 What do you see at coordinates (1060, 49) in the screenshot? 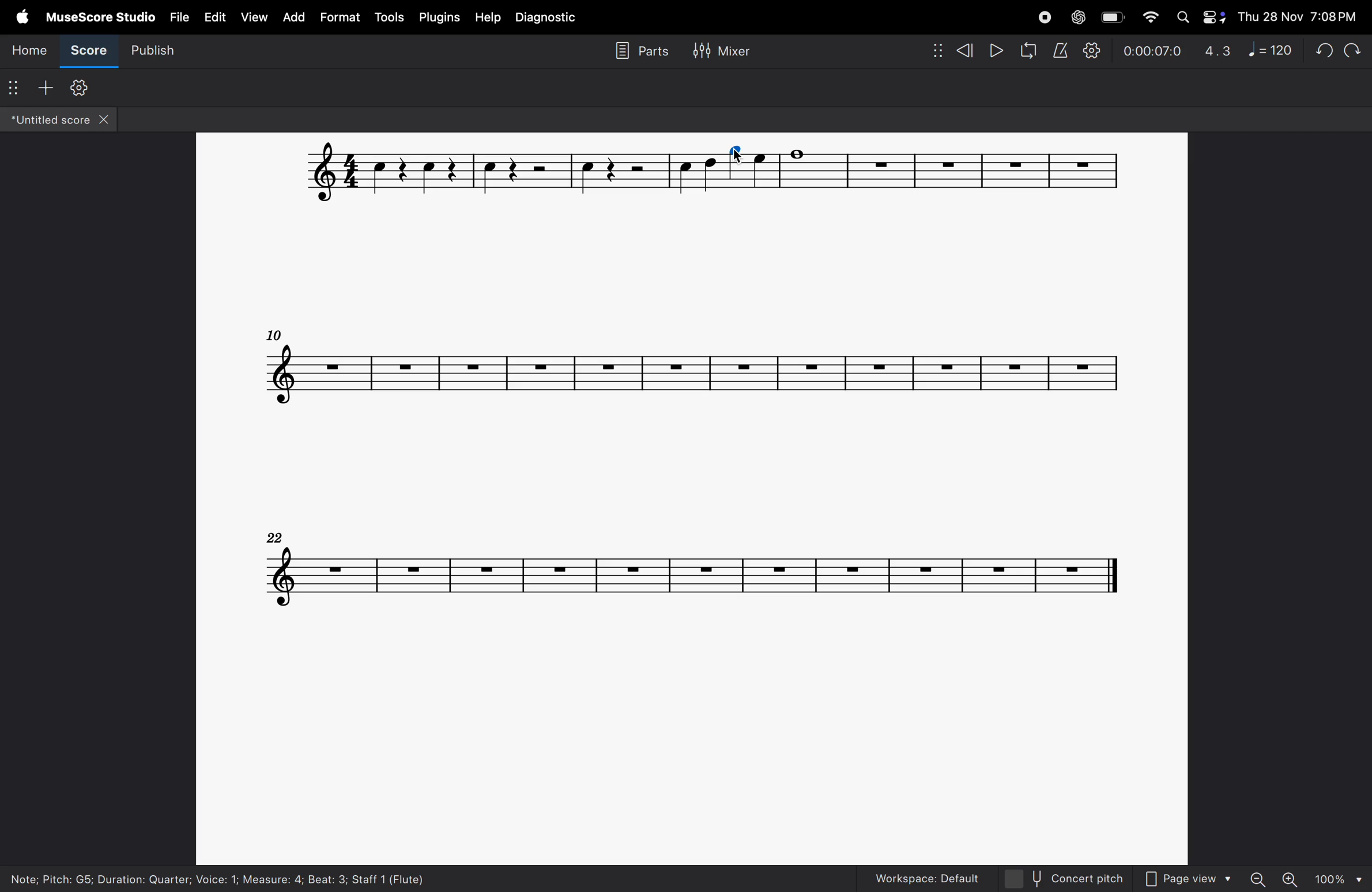
I see `metronome` at bounding box center [1060, 49].